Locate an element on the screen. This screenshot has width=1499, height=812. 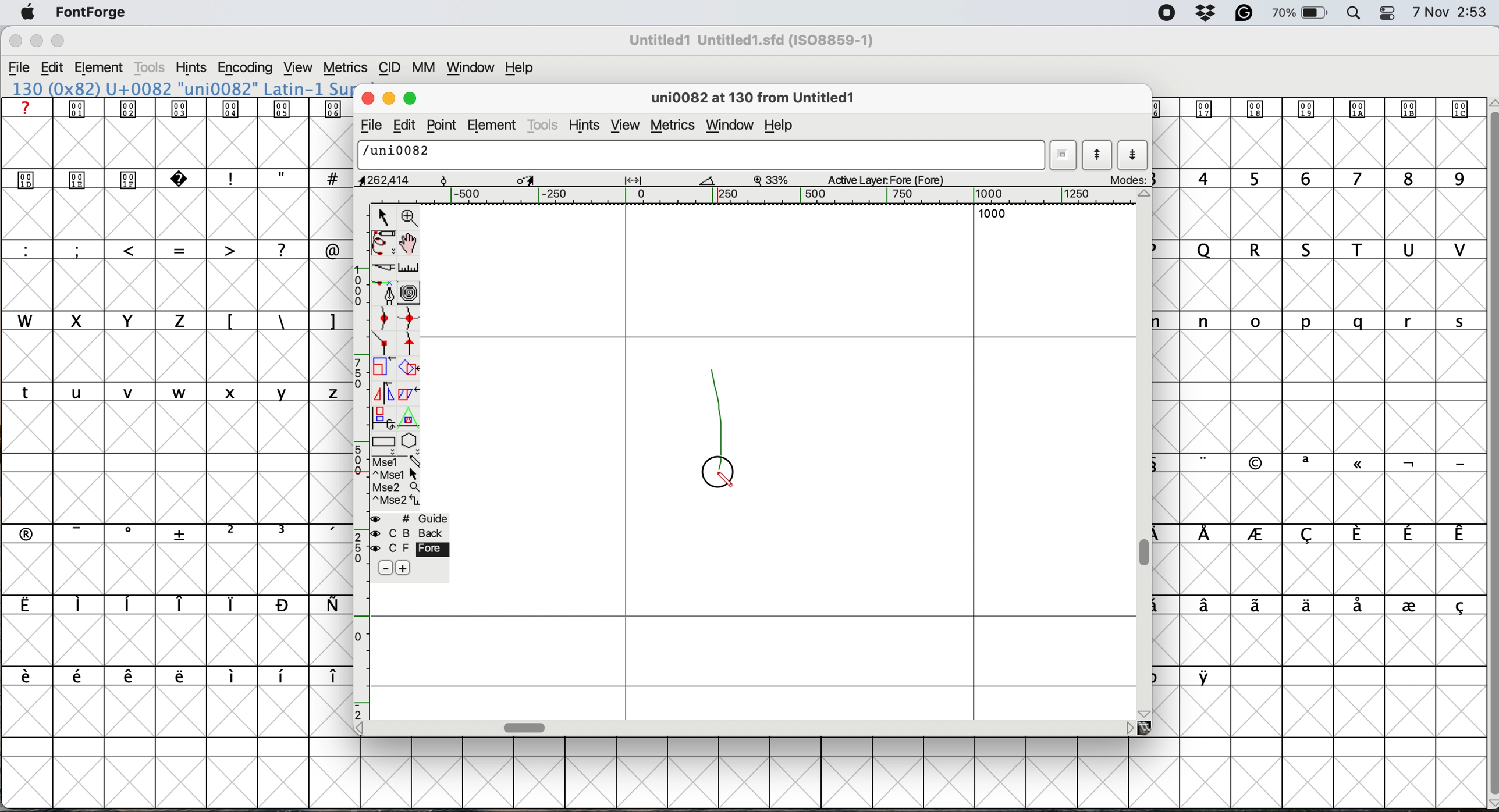
scroll by hand is located at coordinates (407, 244).